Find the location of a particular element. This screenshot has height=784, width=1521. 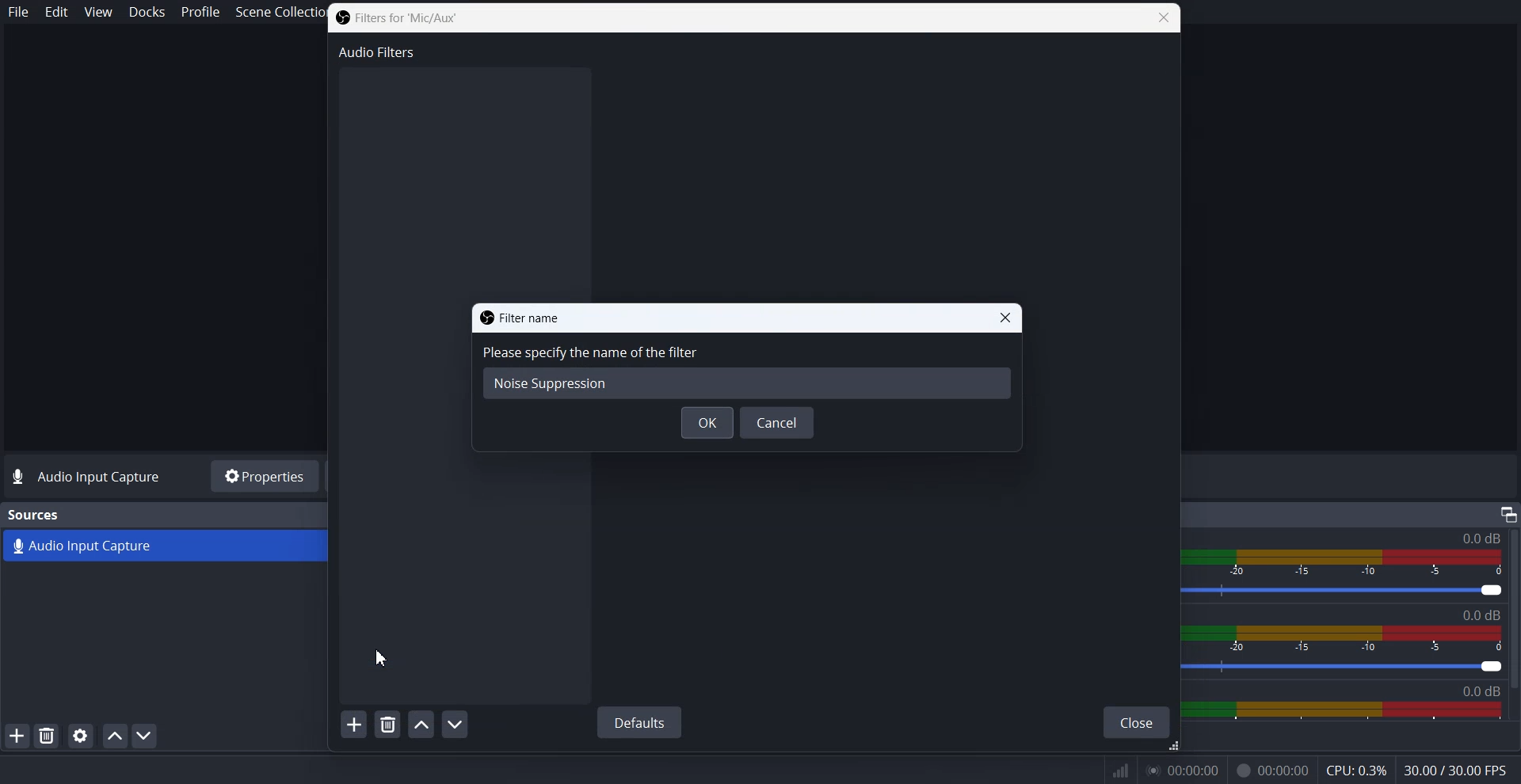

Sound Panel is located at coordinates (1344, 711).